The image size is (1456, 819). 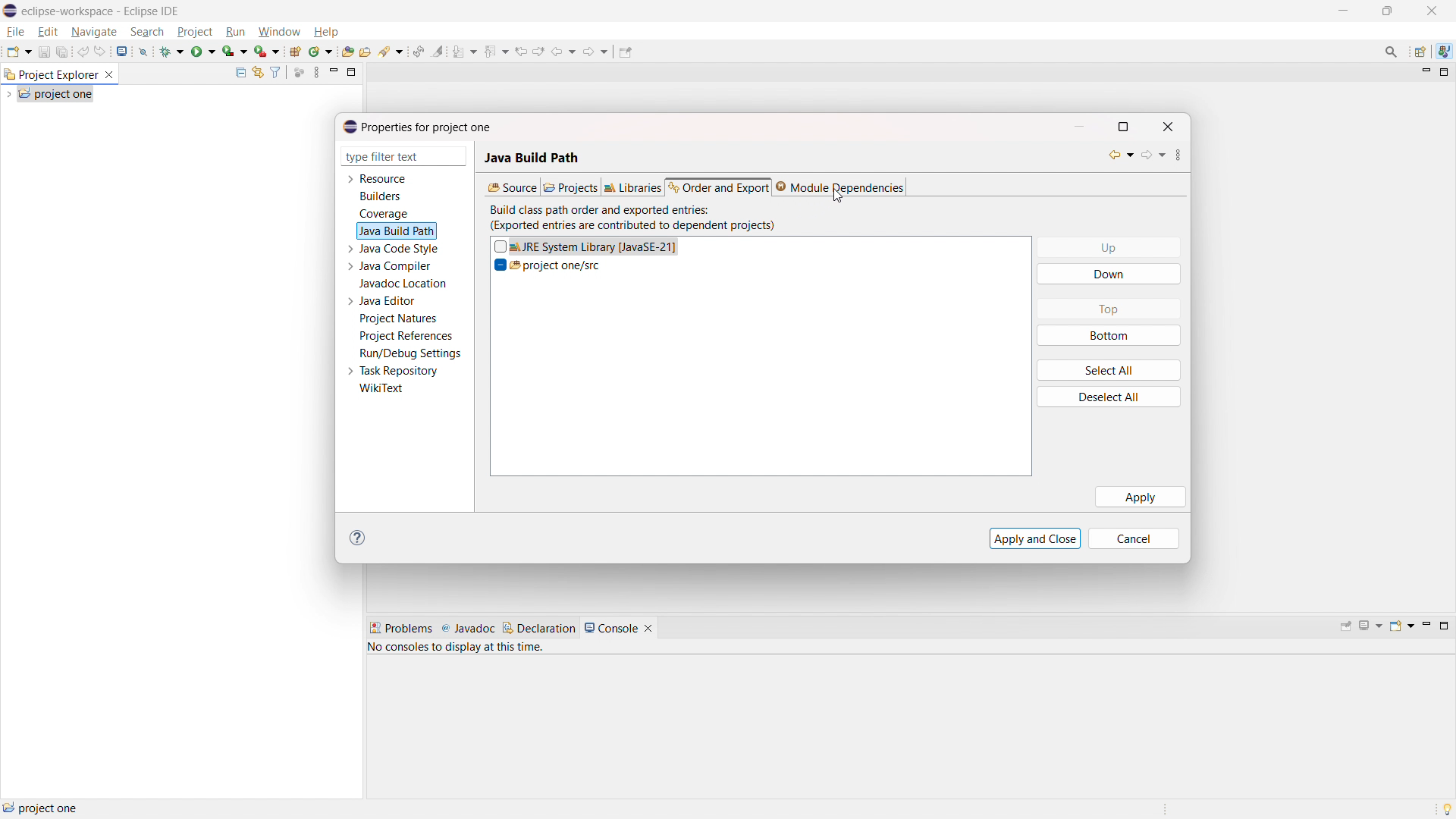 I want to click on maximize, so click(x=1444, y=626).